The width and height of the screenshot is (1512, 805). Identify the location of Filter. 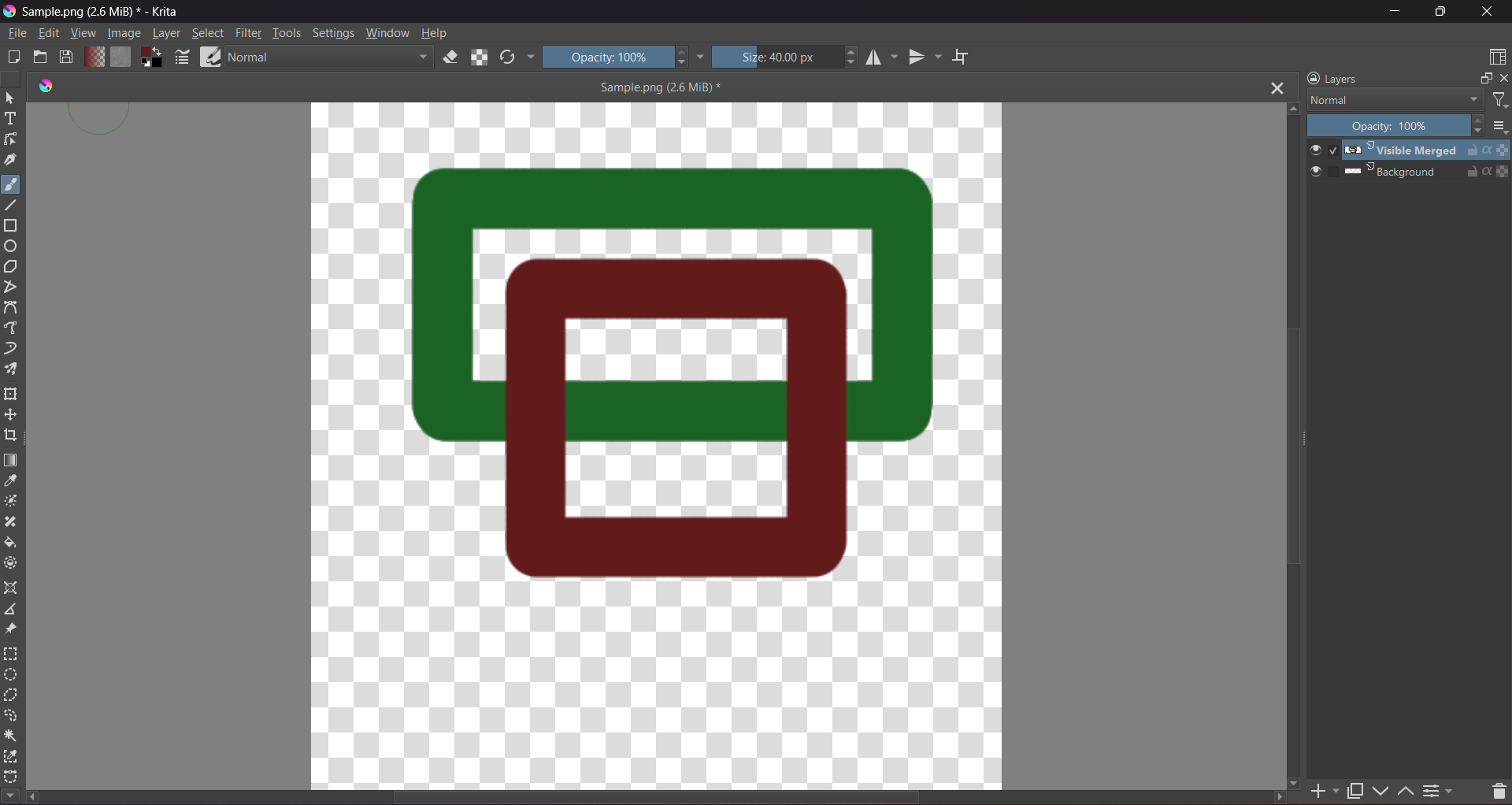
(249, 33).